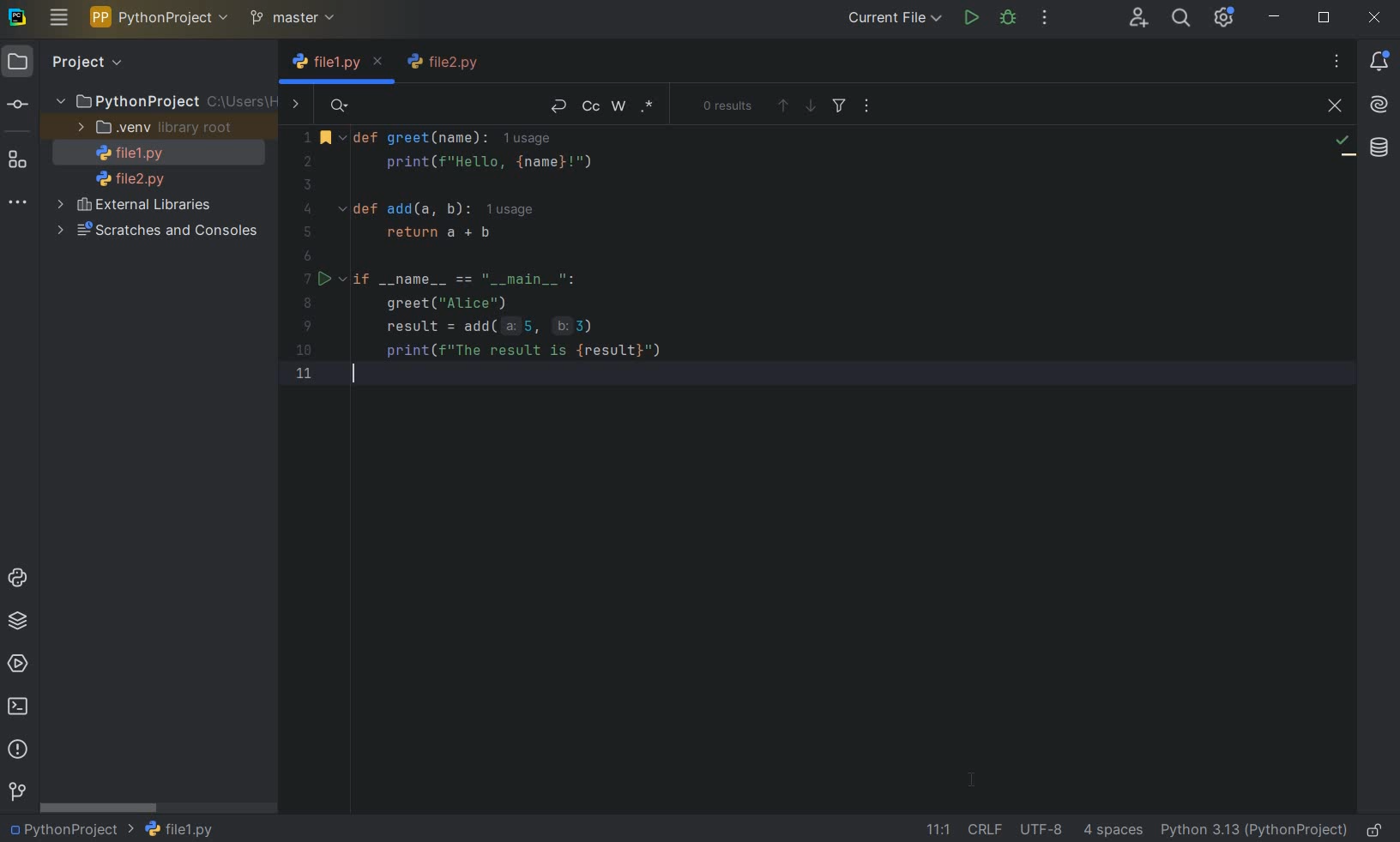 The width and height of the screenshot is (1400, 842). Describe the element at coordinates (70, 830) in the screenshot. I see `PROJECT NAME` at that location.